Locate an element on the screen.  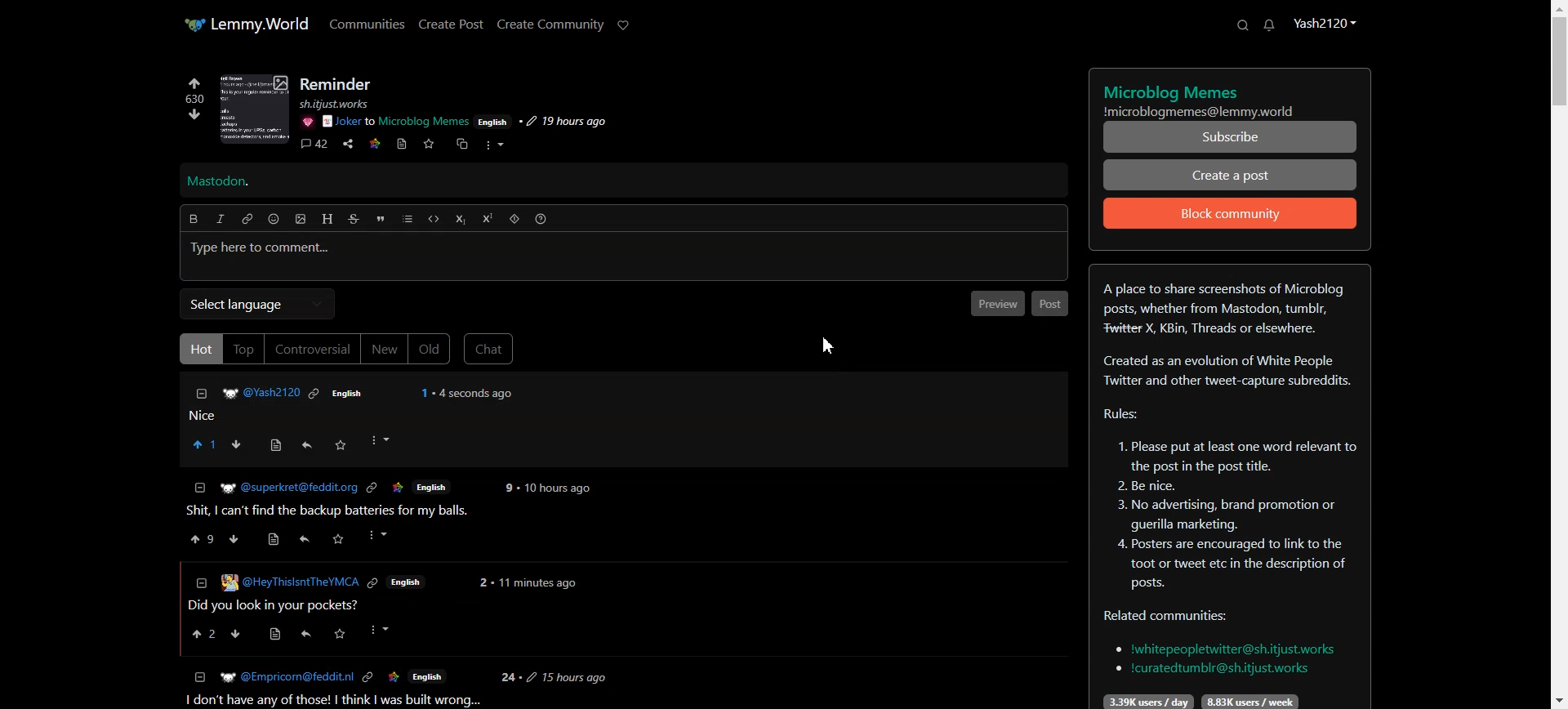
 is located at coordinates (393, 677).